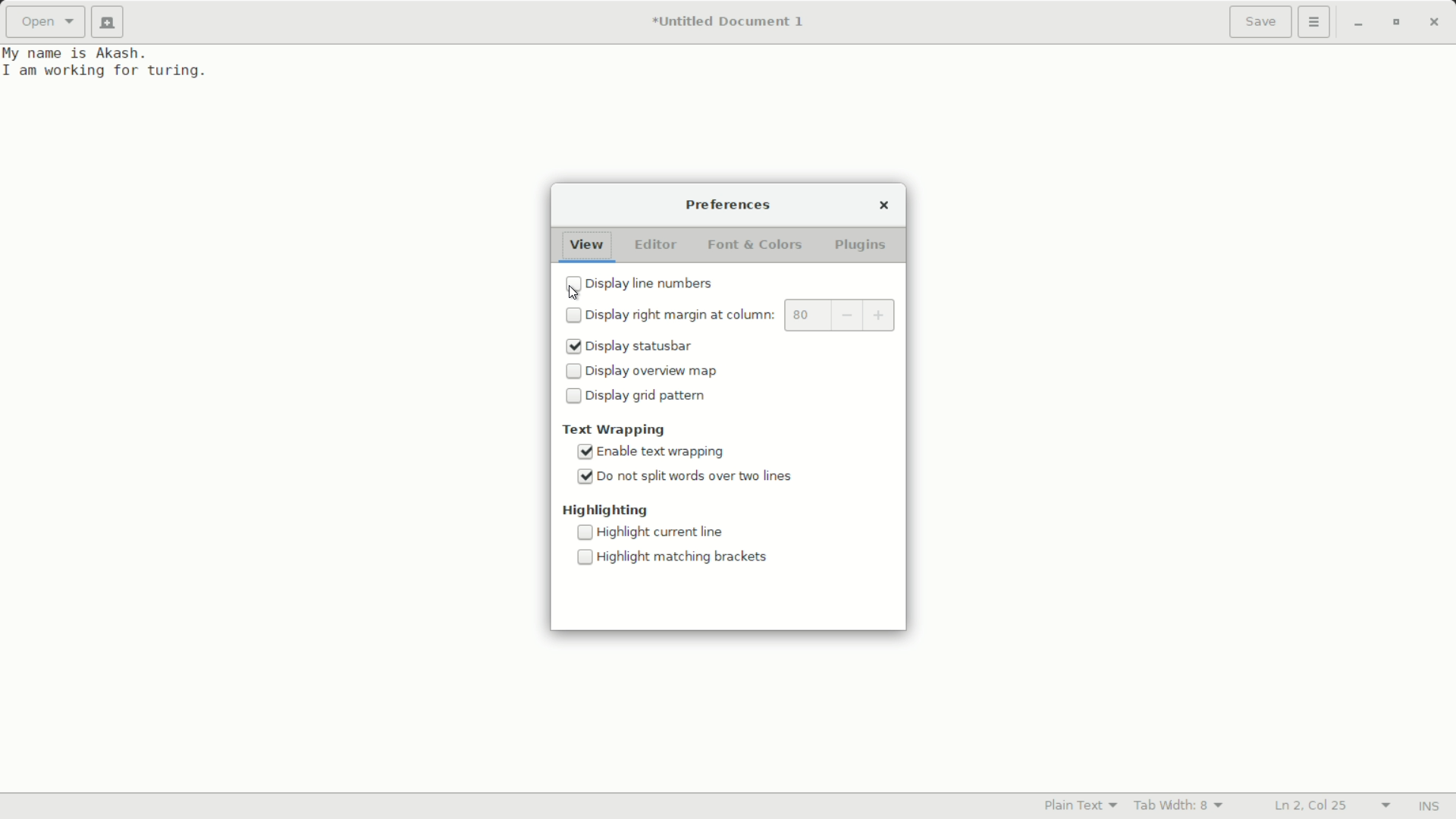 This screenshot has height=819, width=1456. I want to click on *Untitled Document 1, so click(733, 23).